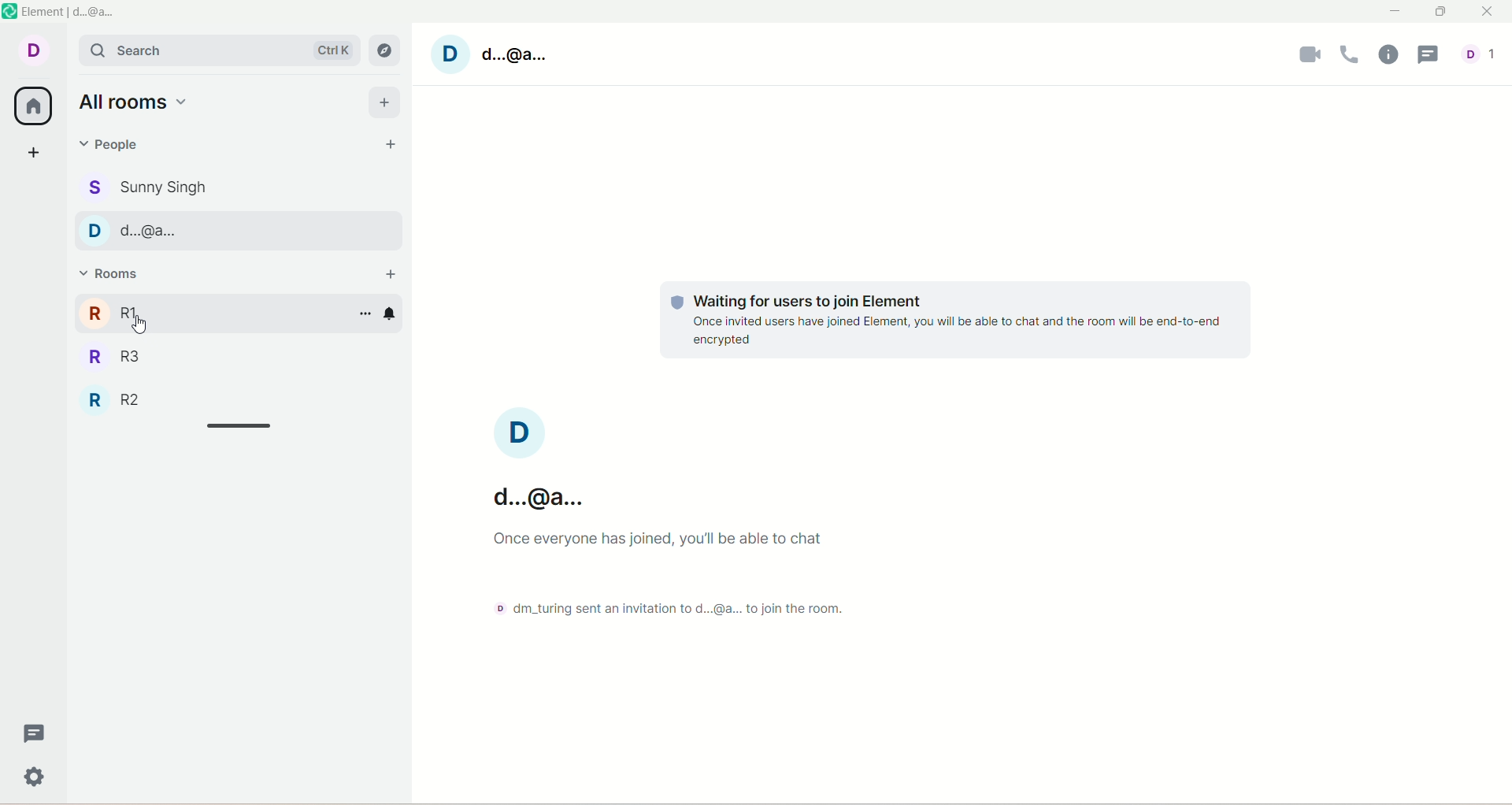 This screenshot has height=805, width=1512. What do you see at coordinates (125, 355) in the screenshot?
I see `R3` at bounding box center [125, 355].